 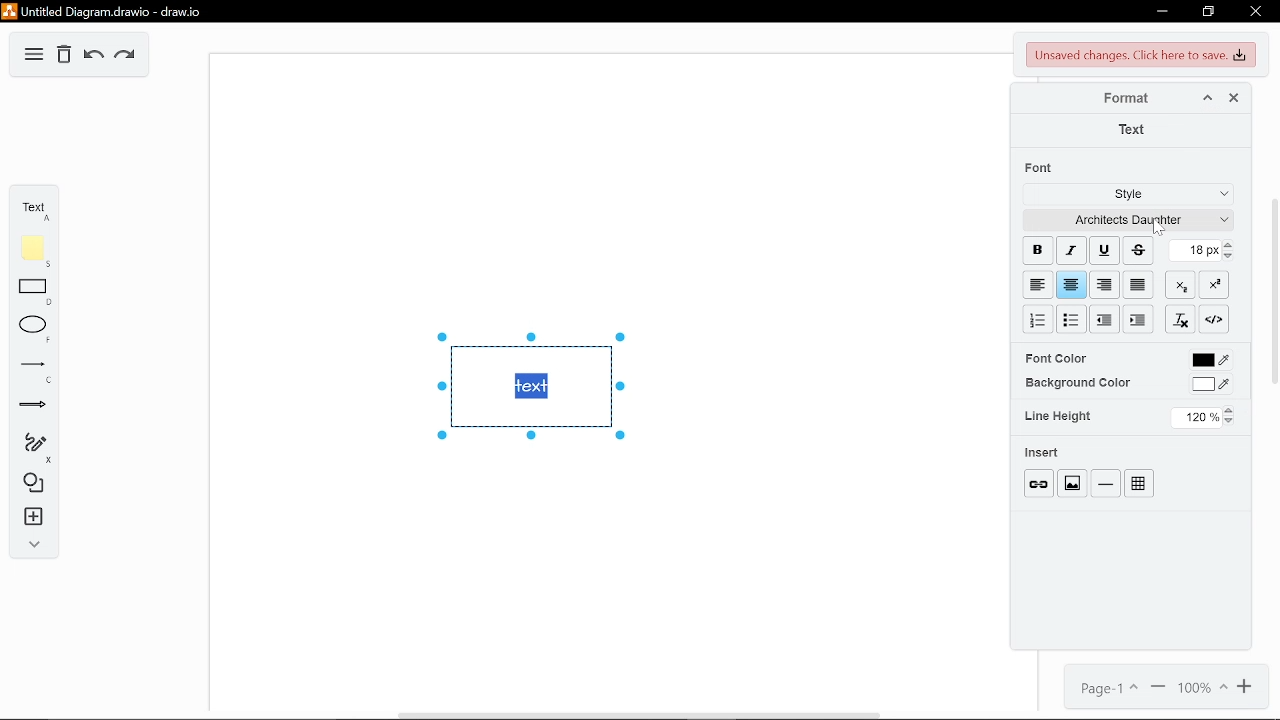 I want to click on insert, so click(x=1043, y=452).